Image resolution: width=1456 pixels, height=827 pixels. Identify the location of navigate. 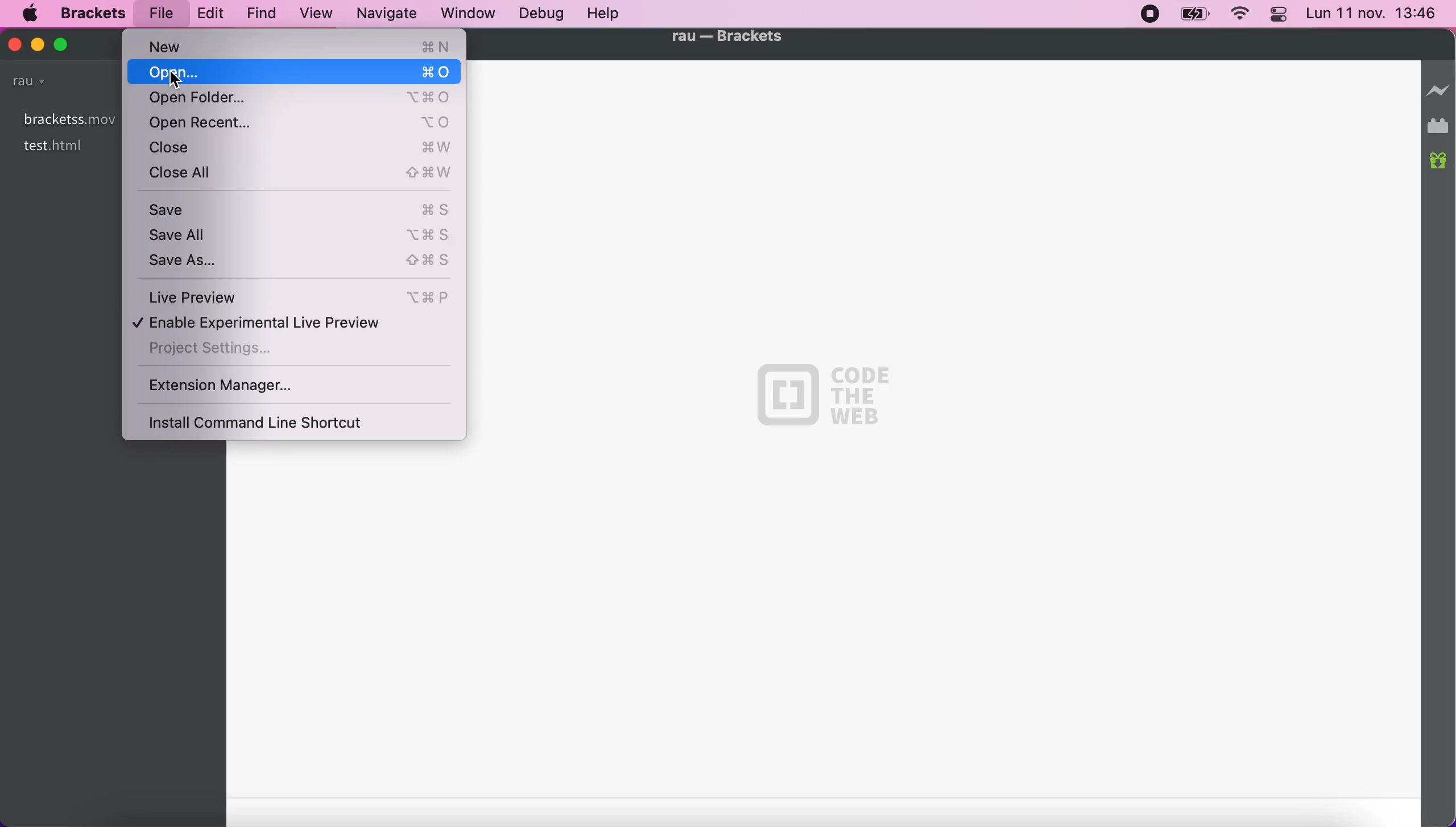
(388, 14).